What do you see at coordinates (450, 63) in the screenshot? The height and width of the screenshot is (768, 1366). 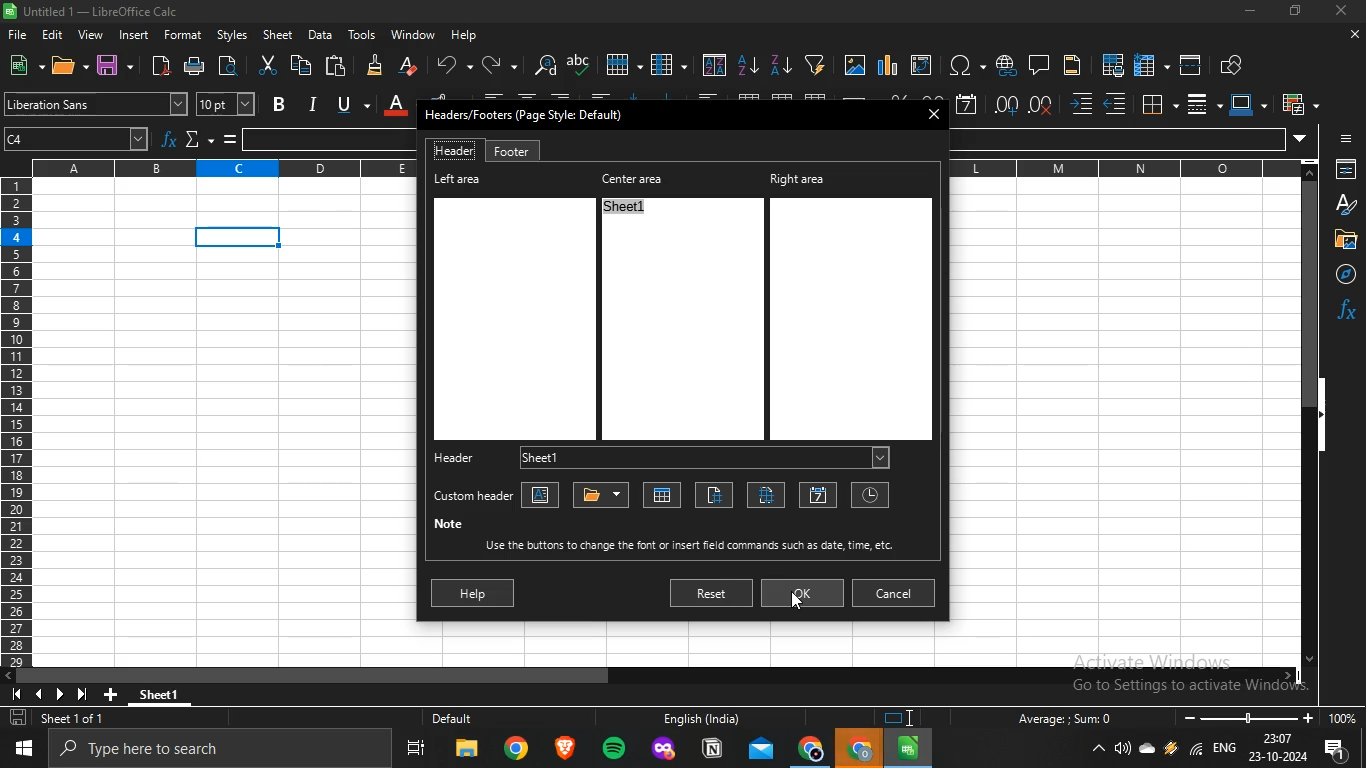 I see `undo` at bounding box center [450, 63].